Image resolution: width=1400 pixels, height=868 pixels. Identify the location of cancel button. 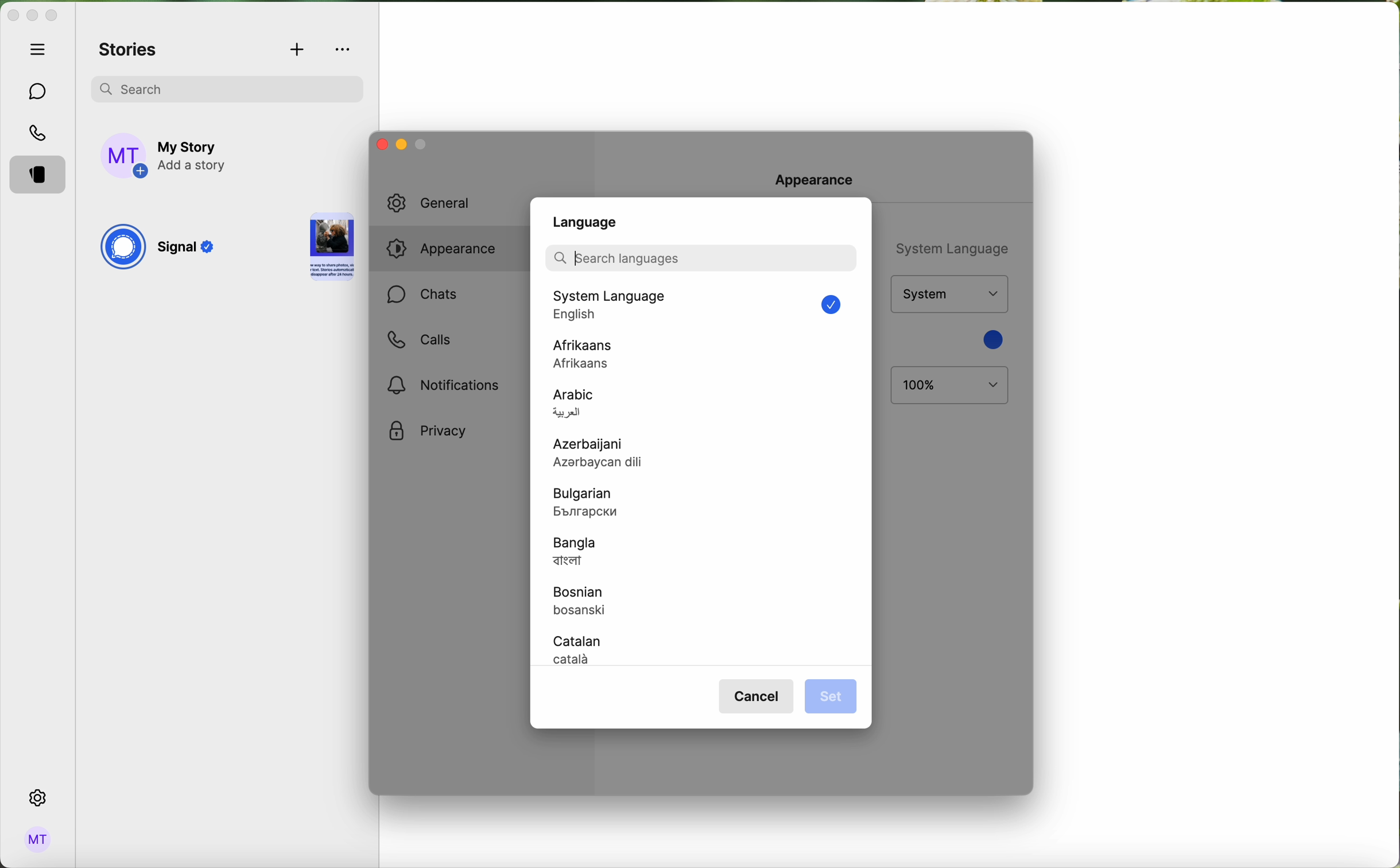
(758, 697).